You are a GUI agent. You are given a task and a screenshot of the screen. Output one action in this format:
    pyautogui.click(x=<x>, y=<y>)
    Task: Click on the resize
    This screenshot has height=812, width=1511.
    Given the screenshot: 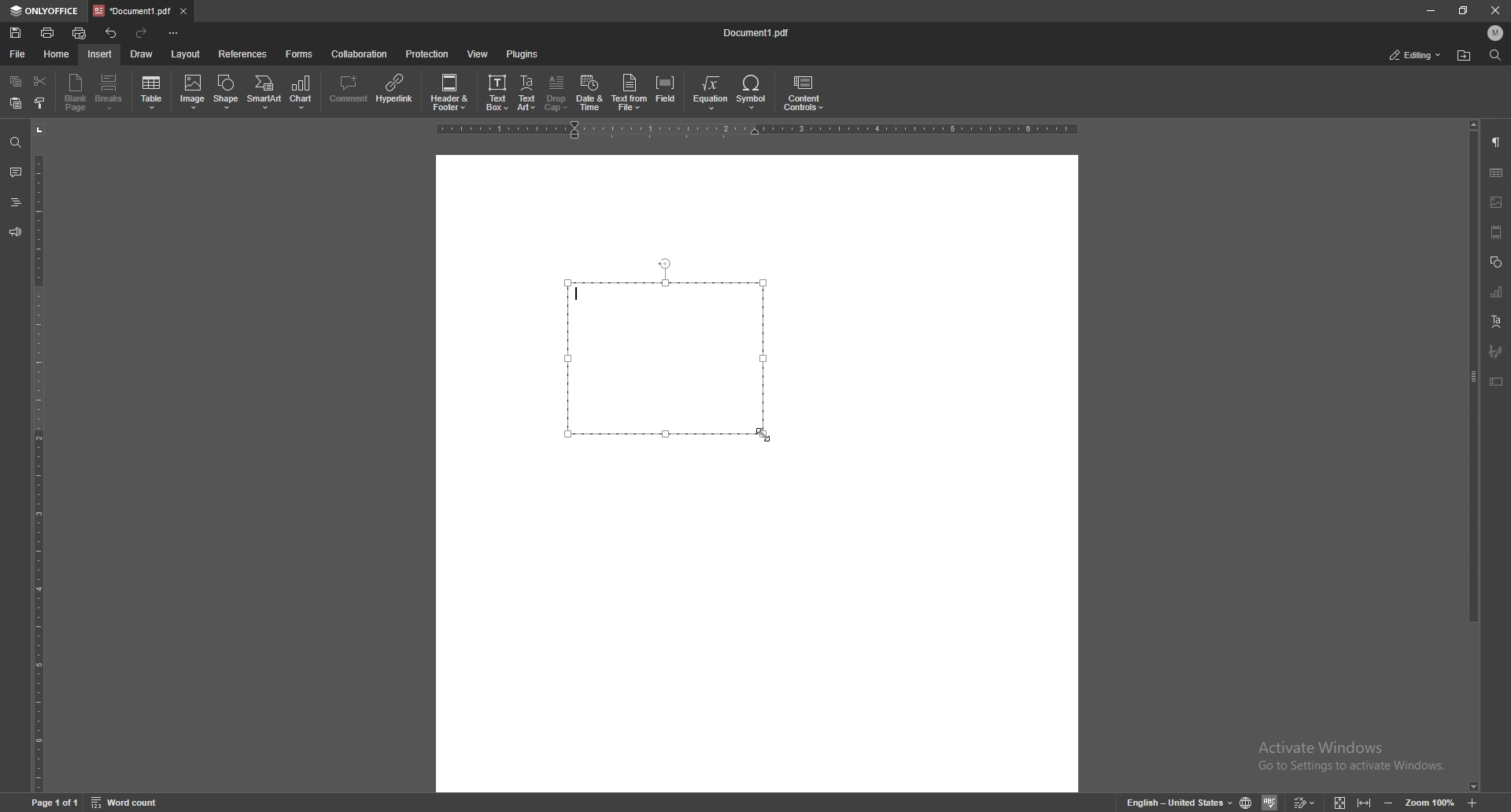 What is the action you would take?
    pyautogui.click(x=1462, y=11)
    